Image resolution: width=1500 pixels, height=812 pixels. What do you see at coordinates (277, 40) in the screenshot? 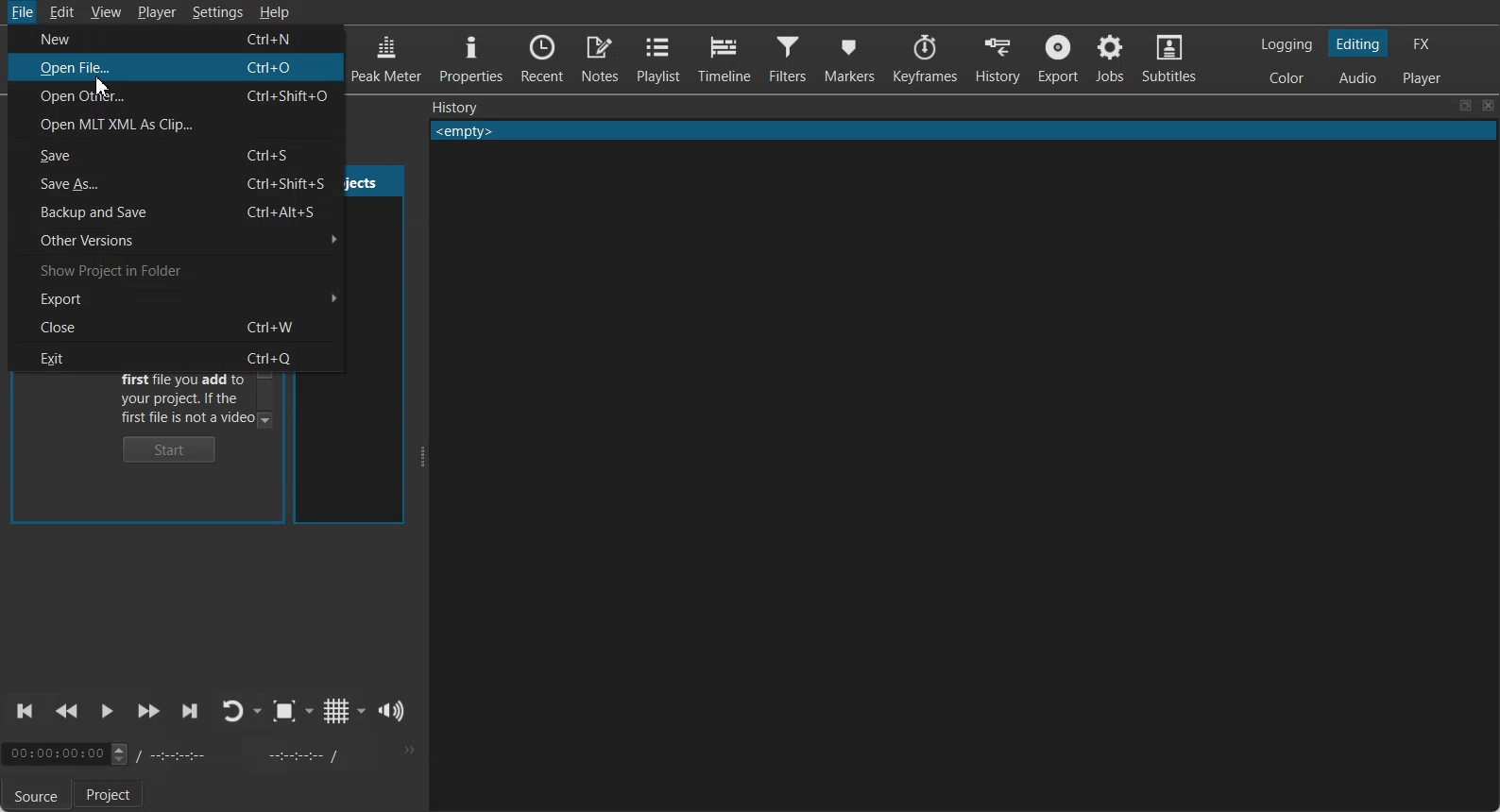
I see `Ctrl+N` at bounding box center [277, 40].